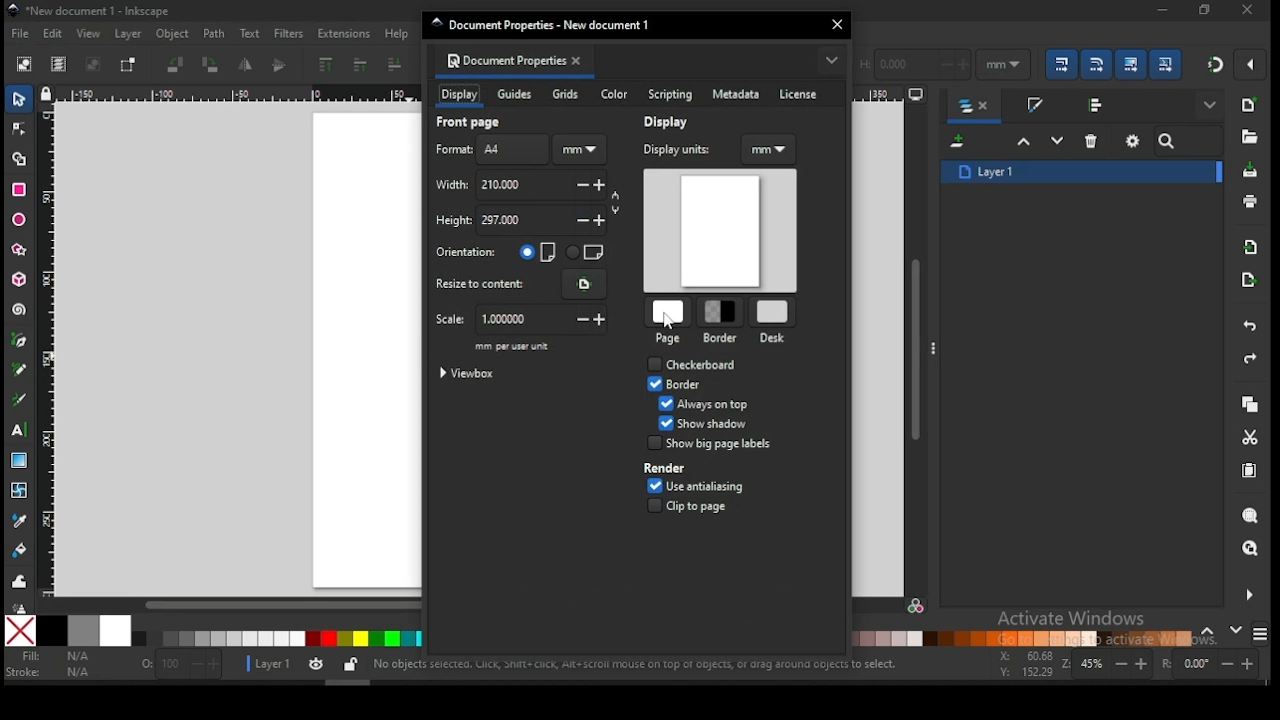  What do you see at coordinates (52, 348) in the screenshot?
I see `vertical ruler` at bounding box center [52, 348].